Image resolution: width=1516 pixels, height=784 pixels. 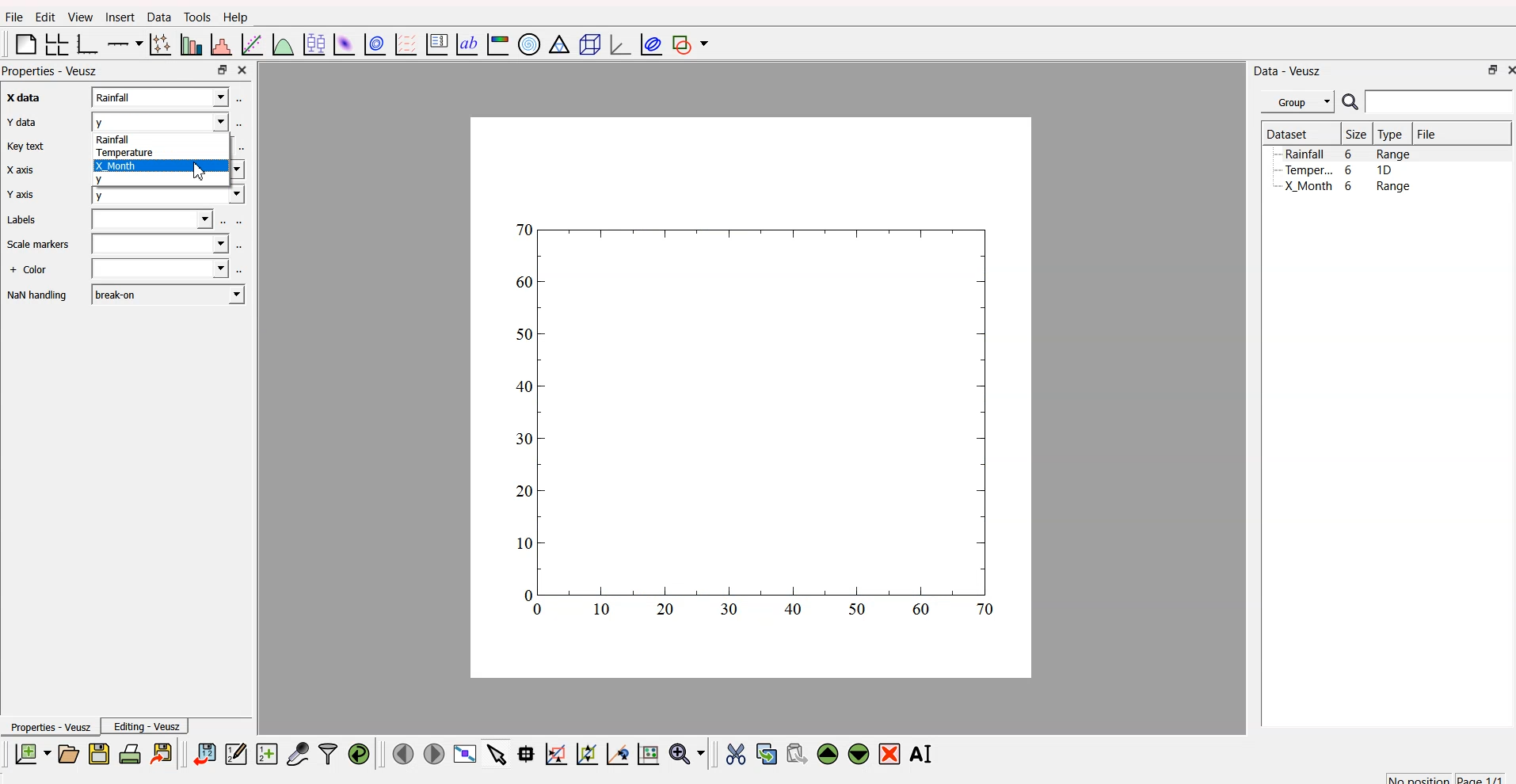 I want to click on Rainfall 6 Range, so click(x=1350, y=154).